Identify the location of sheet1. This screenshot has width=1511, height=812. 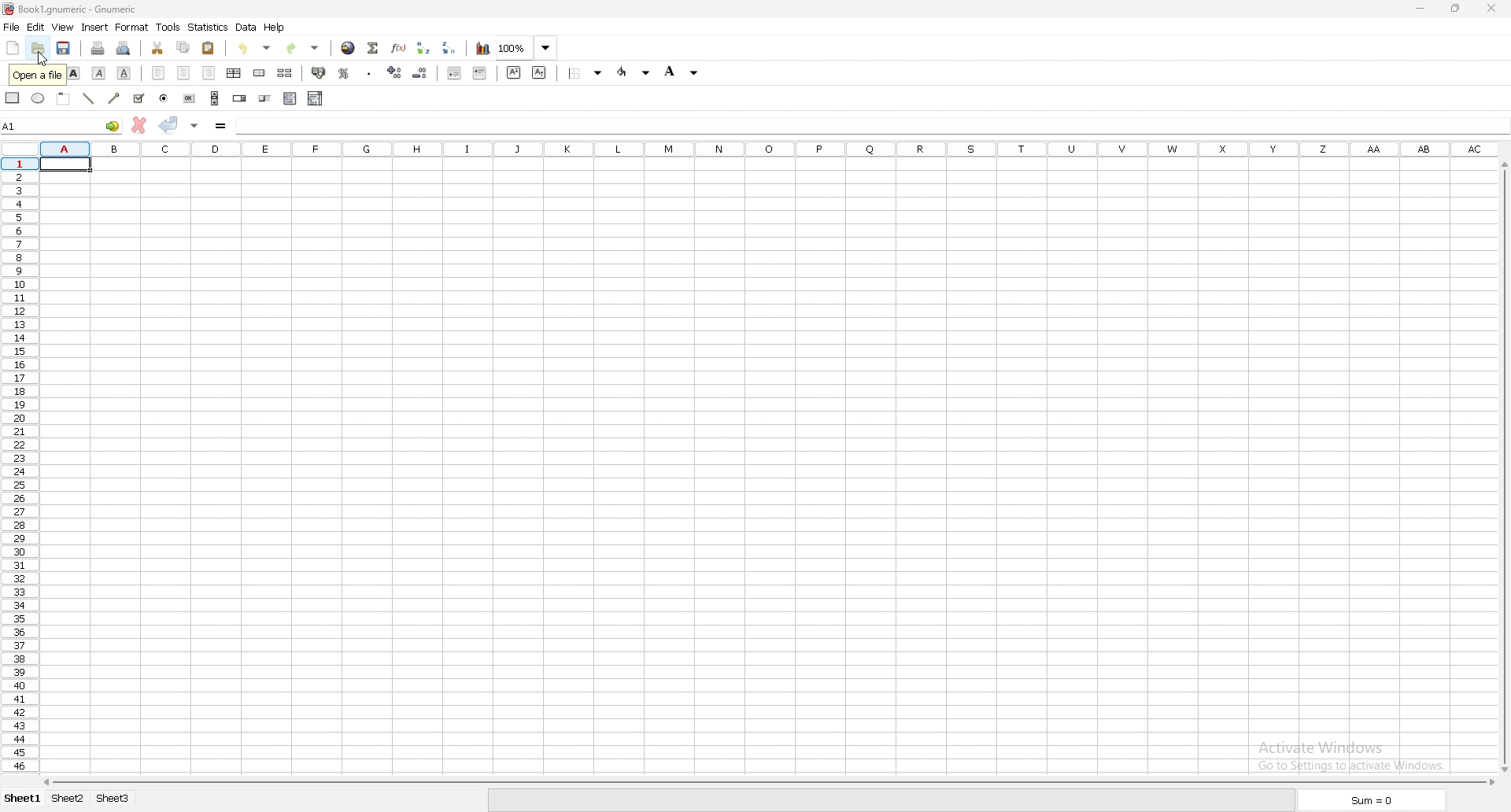
(22, 797).